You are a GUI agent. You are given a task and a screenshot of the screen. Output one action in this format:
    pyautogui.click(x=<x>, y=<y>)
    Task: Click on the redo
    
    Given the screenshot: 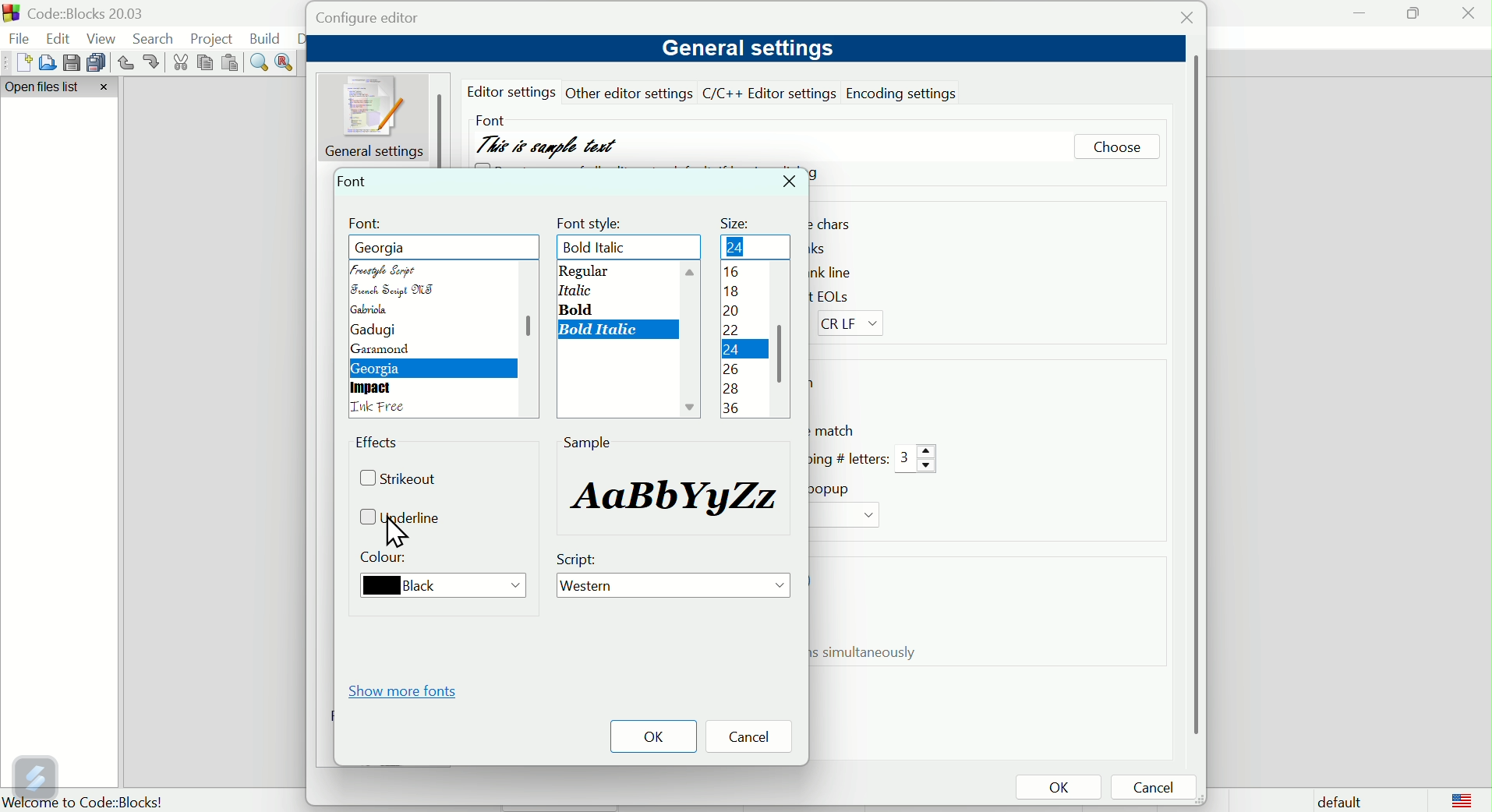 What is the action you would take?
    pyautogui.click(x=153, y=62)
    